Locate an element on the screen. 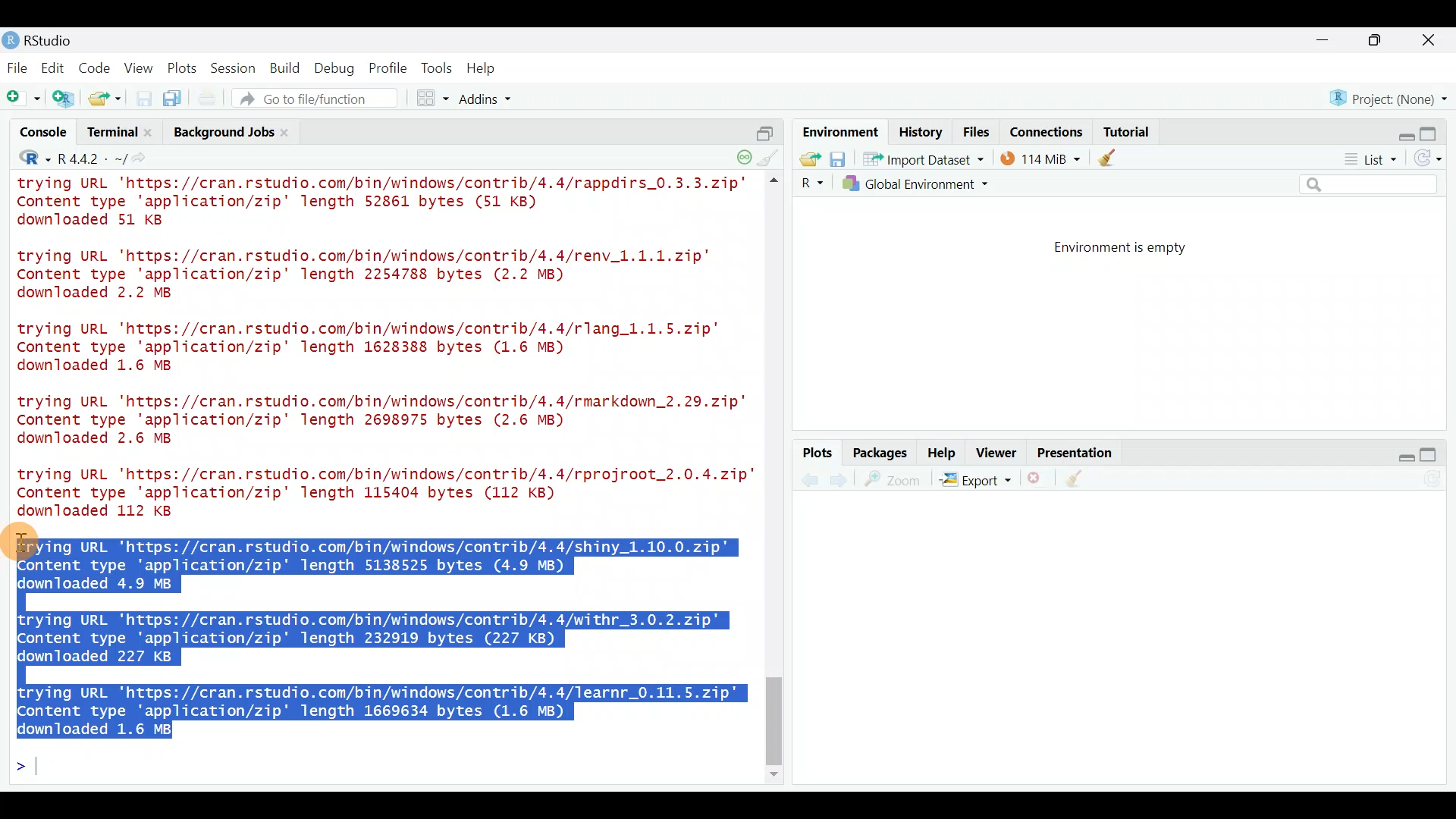 The image size is (1456, 819). List is located at coordinates (1369, 160).